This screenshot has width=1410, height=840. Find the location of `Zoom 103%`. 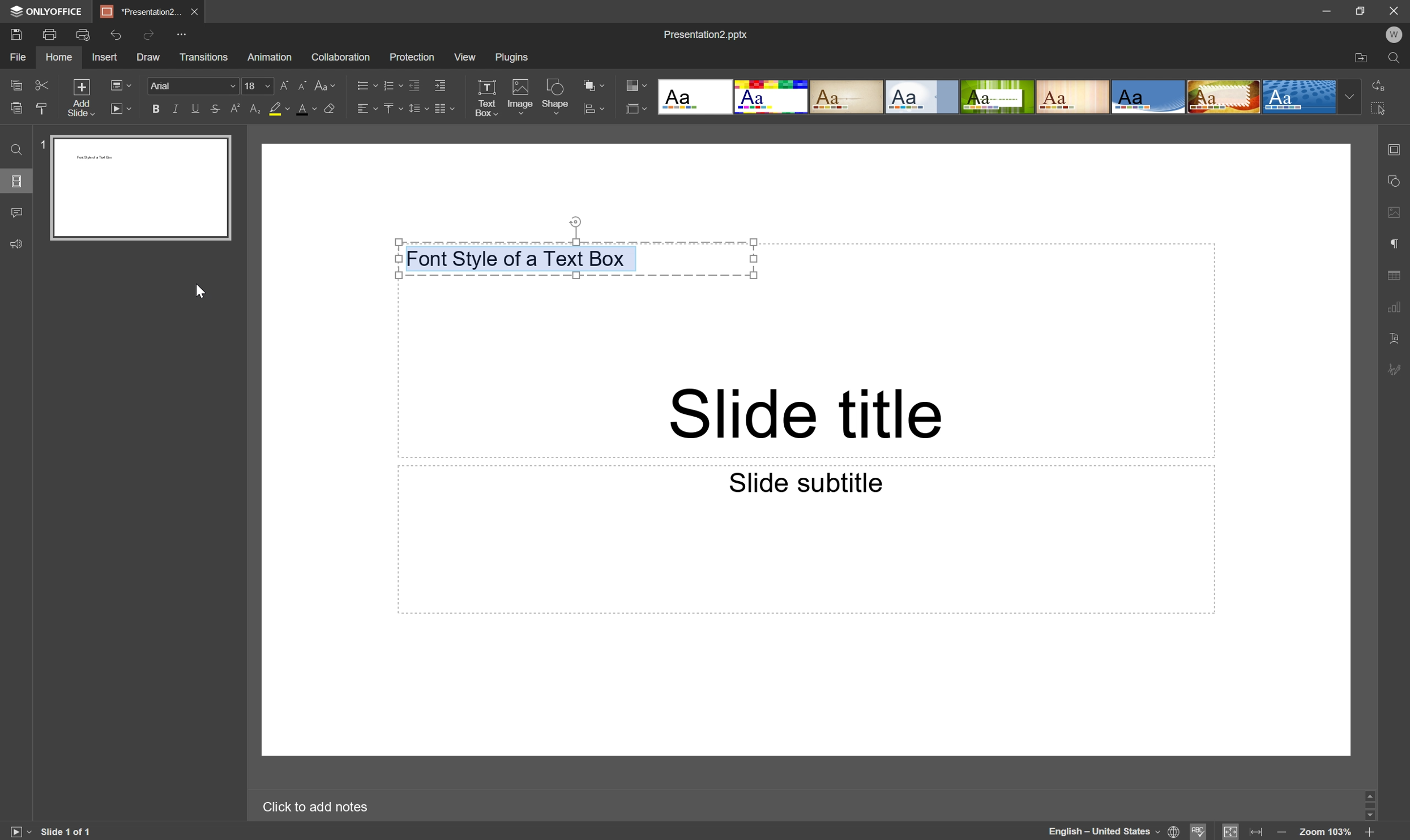

Zoom 103% is located at coordinates (1328, 833).